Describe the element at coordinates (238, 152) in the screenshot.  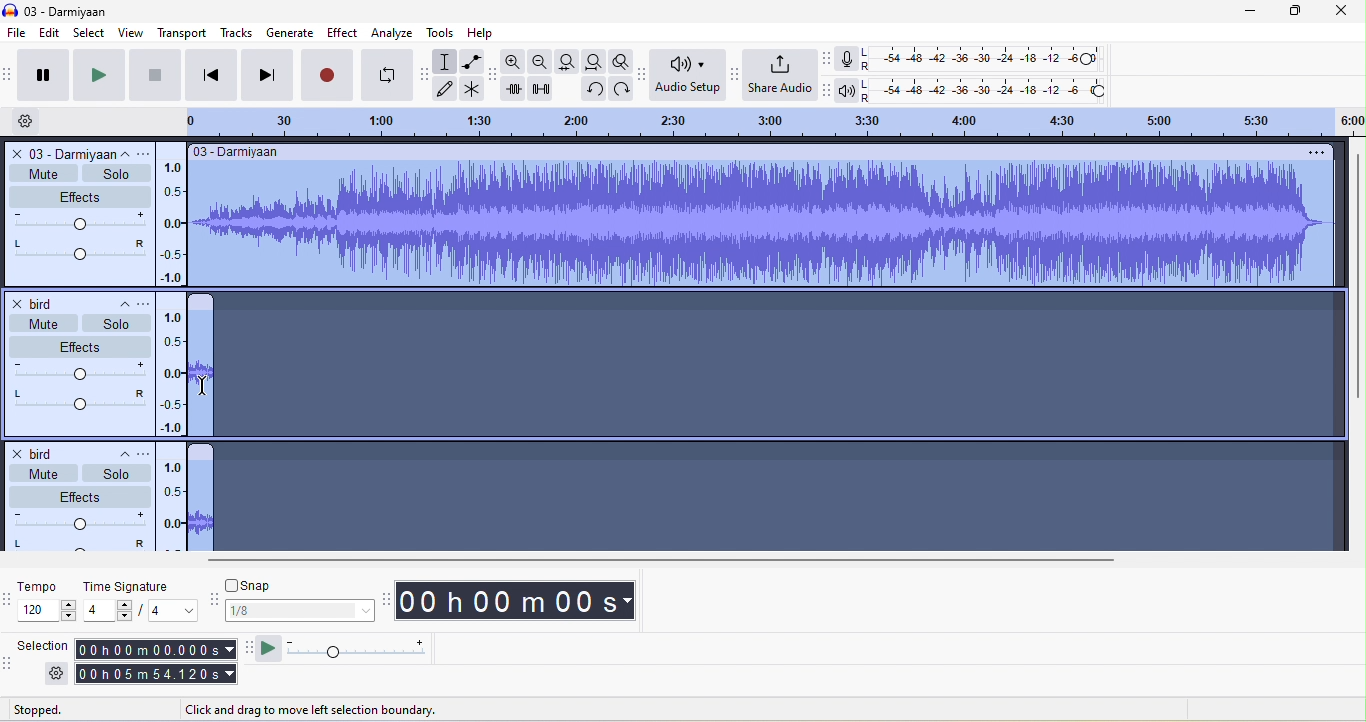
I see `03- darmiyaan` at that location.